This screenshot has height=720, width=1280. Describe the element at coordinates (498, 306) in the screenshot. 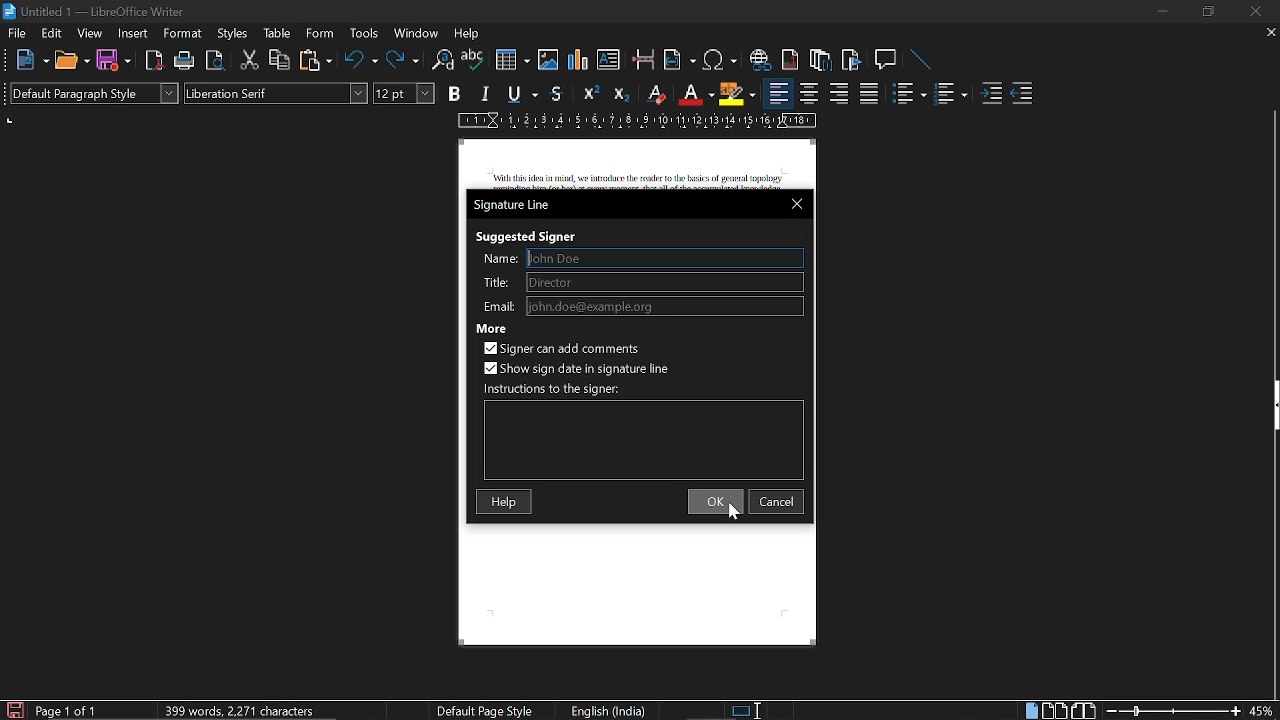

I see `email` at that location.